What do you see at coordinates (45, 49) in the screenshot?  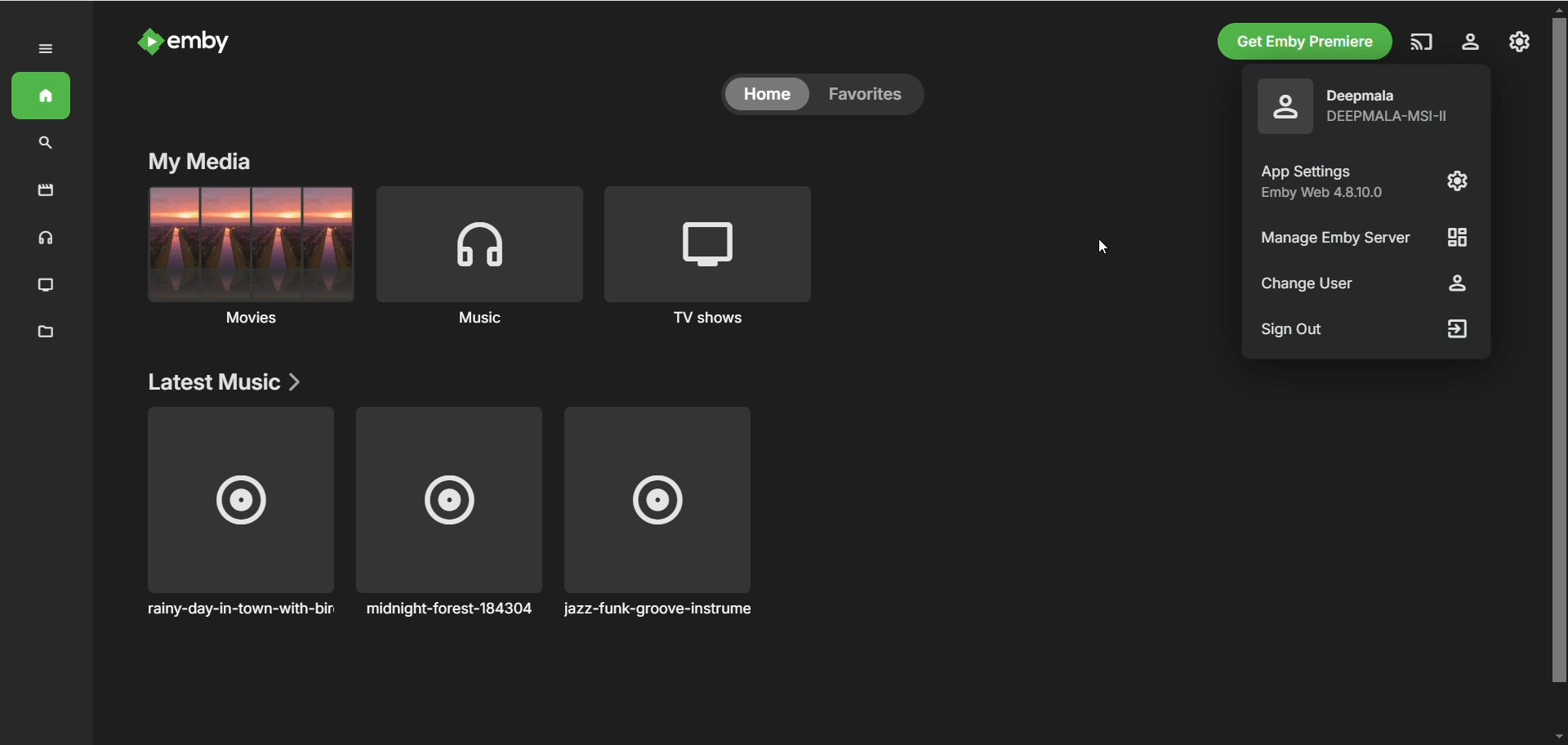 I see `expand` at bounding box center [45, 49].